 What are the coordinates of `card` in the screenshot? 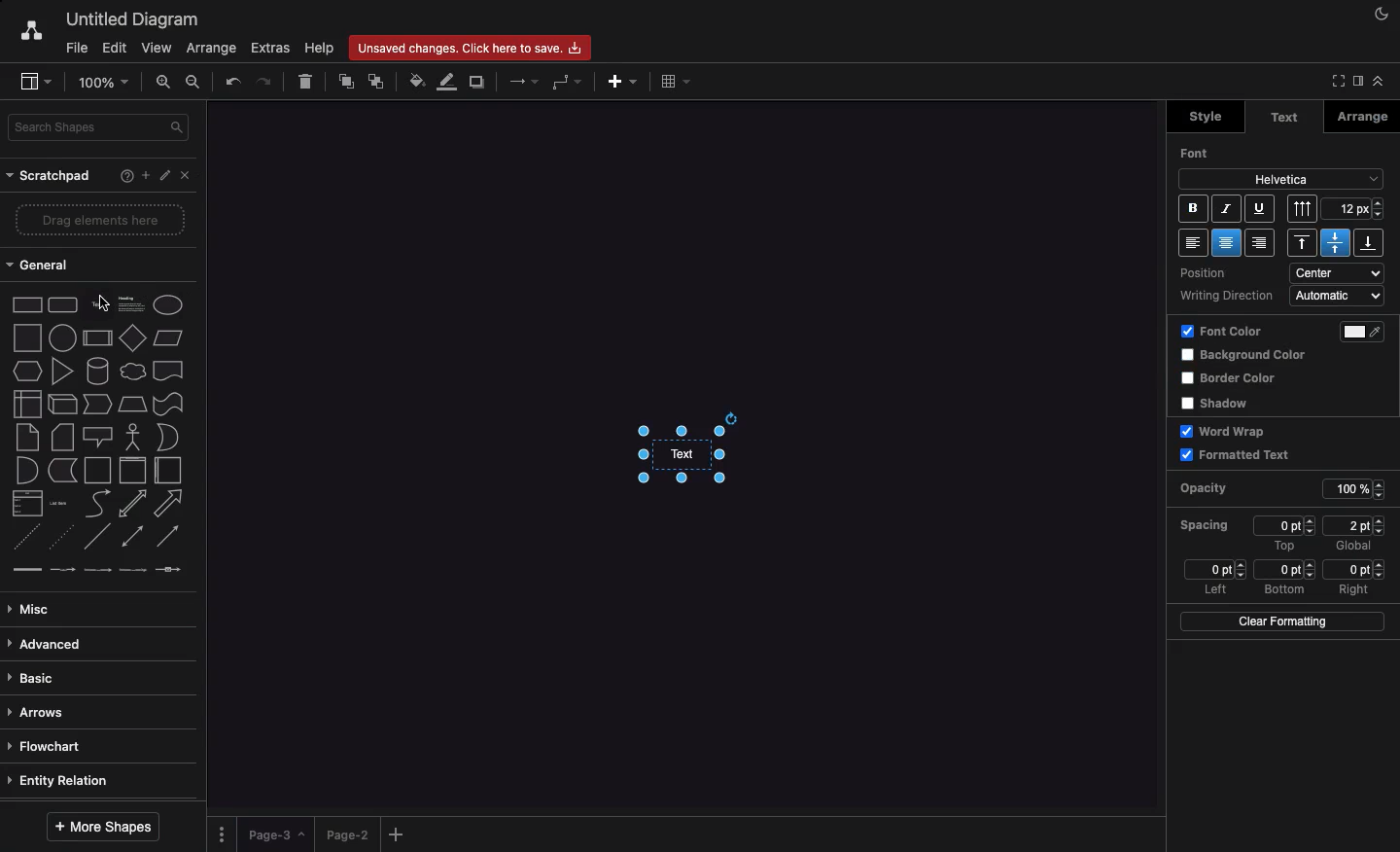 It's located at (63, 436).